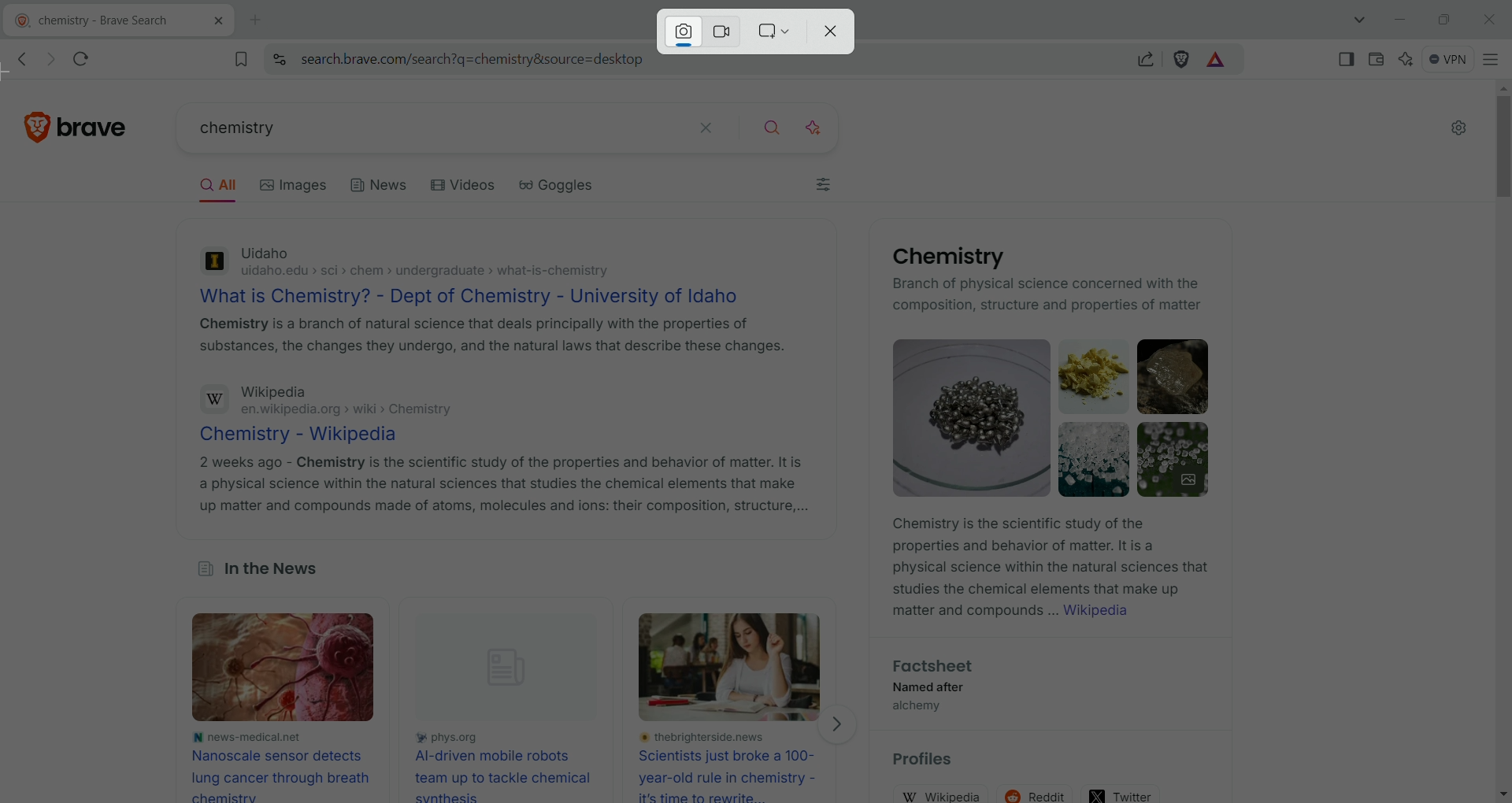 Image resolution: width=1512 pixels, height=803 pixels. Describe the element at coordinates (224, 187) in the screenshot. I see `All` at that location.